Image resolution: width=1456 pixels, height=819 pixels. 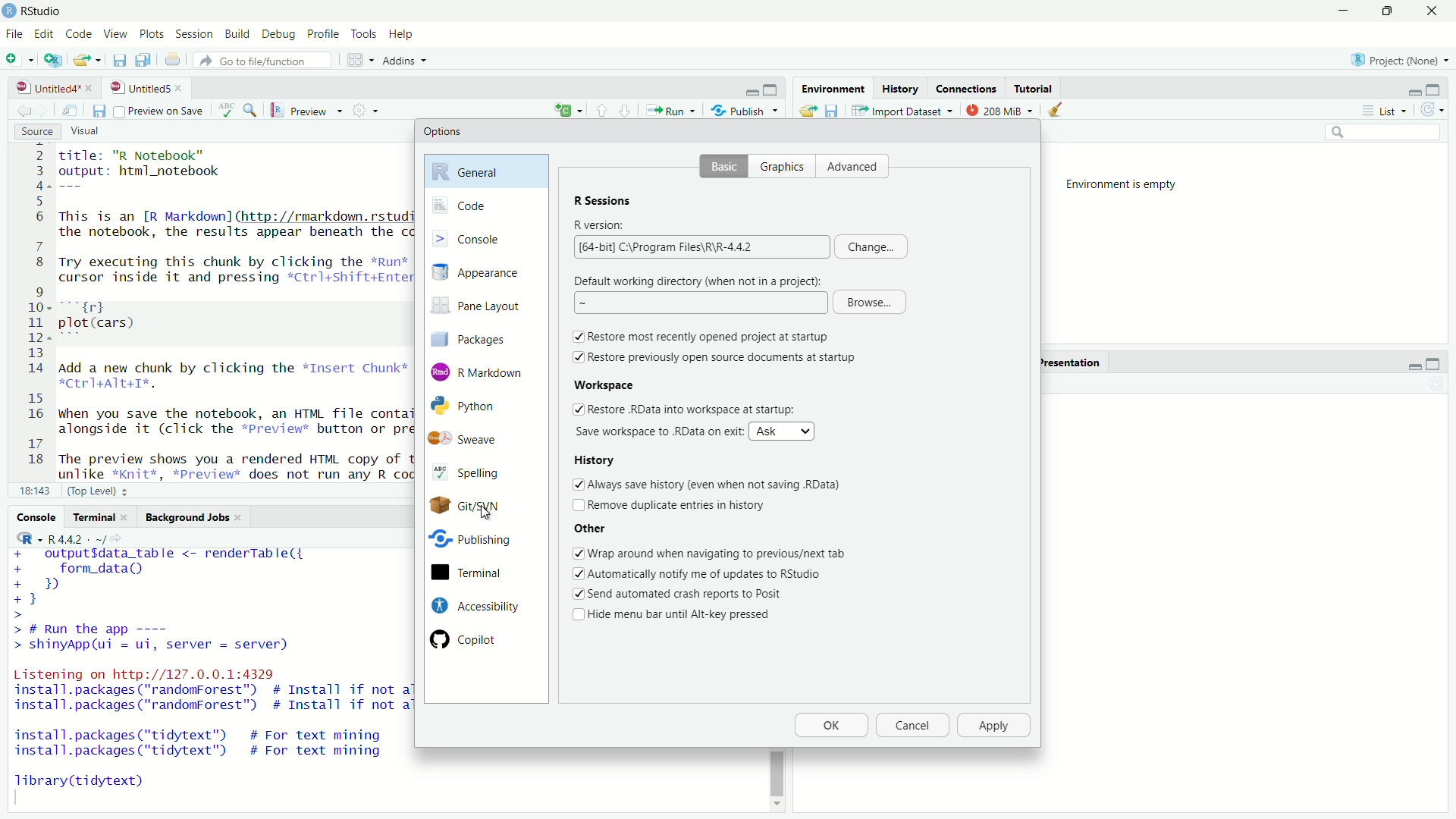 What do you see at coordinates (158, 111) in the screenshot?
I see `Preview on save` at bounding box center [158, 111].